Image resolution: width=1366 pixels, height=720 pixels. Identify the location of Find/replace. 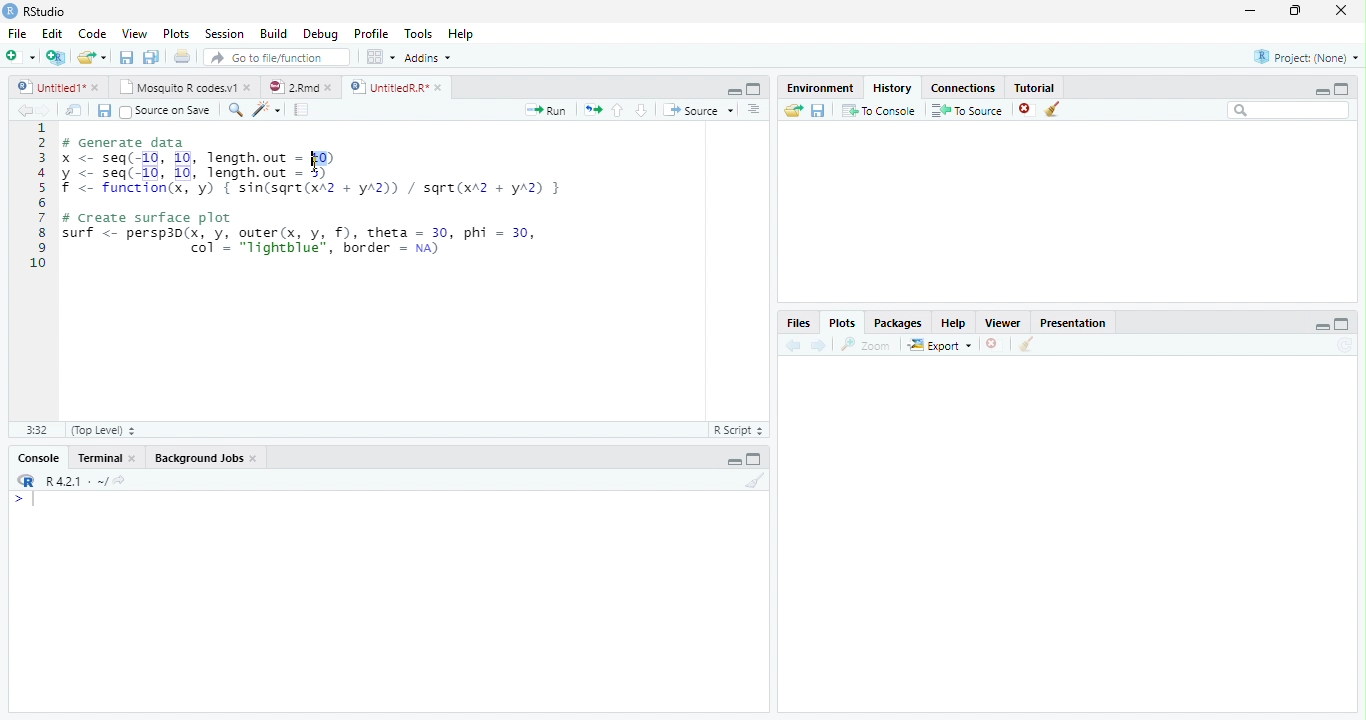
(234, 110).